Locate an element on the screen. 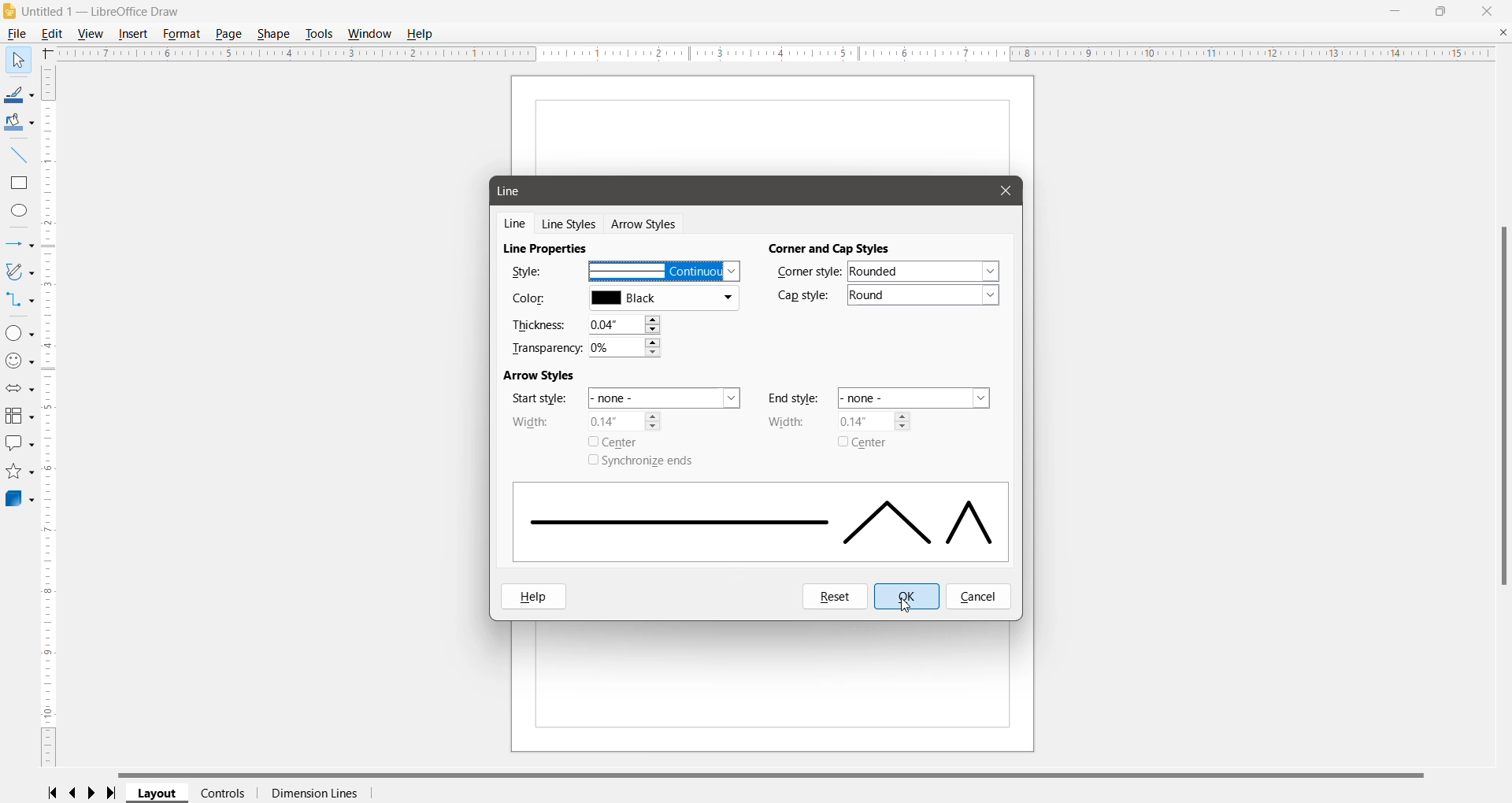  Minimize is located at coordinates (1395, 10).